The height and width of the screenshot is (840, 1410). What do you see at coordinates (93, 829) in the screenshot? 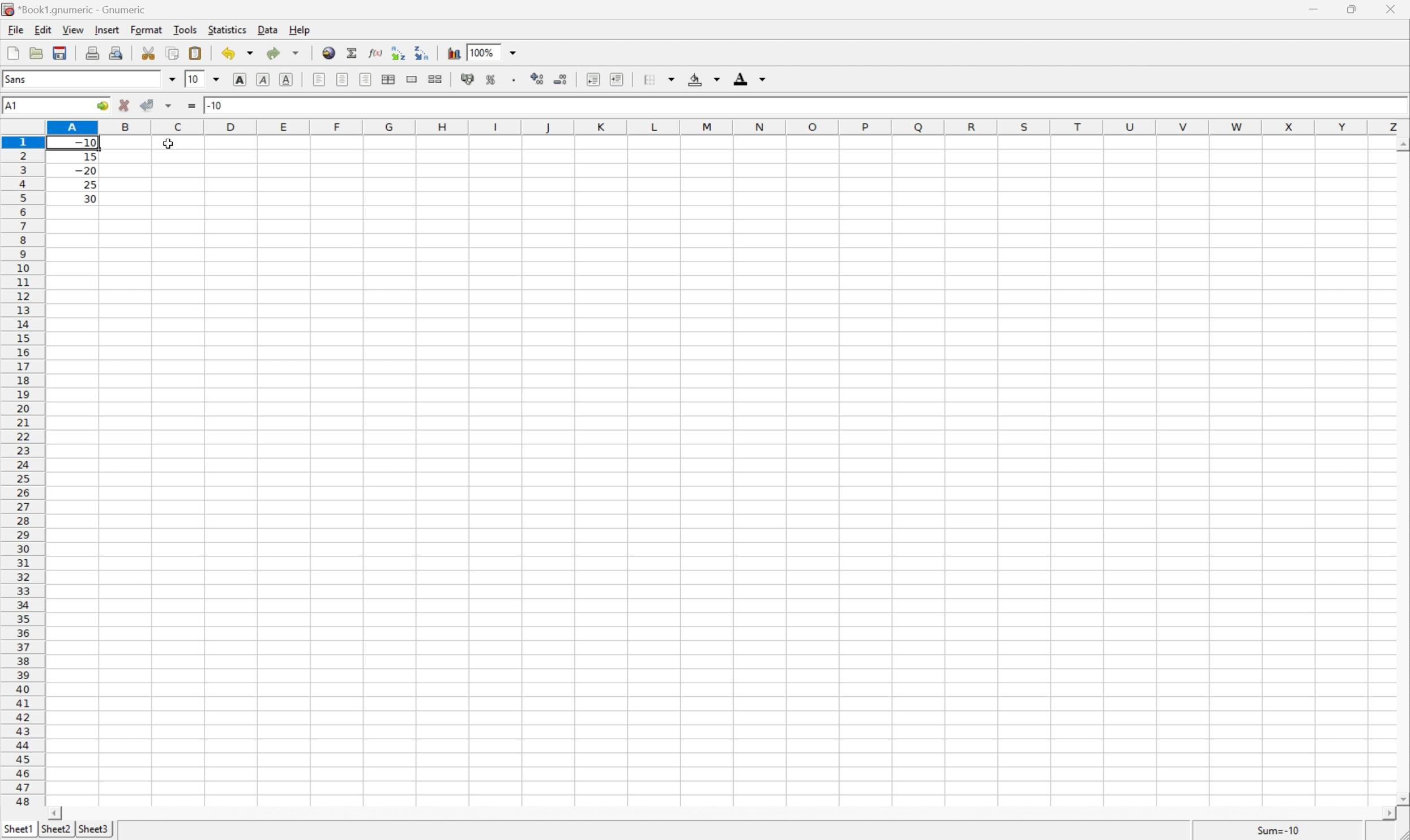
I see `Shee3` at bounding box center [93, 829].